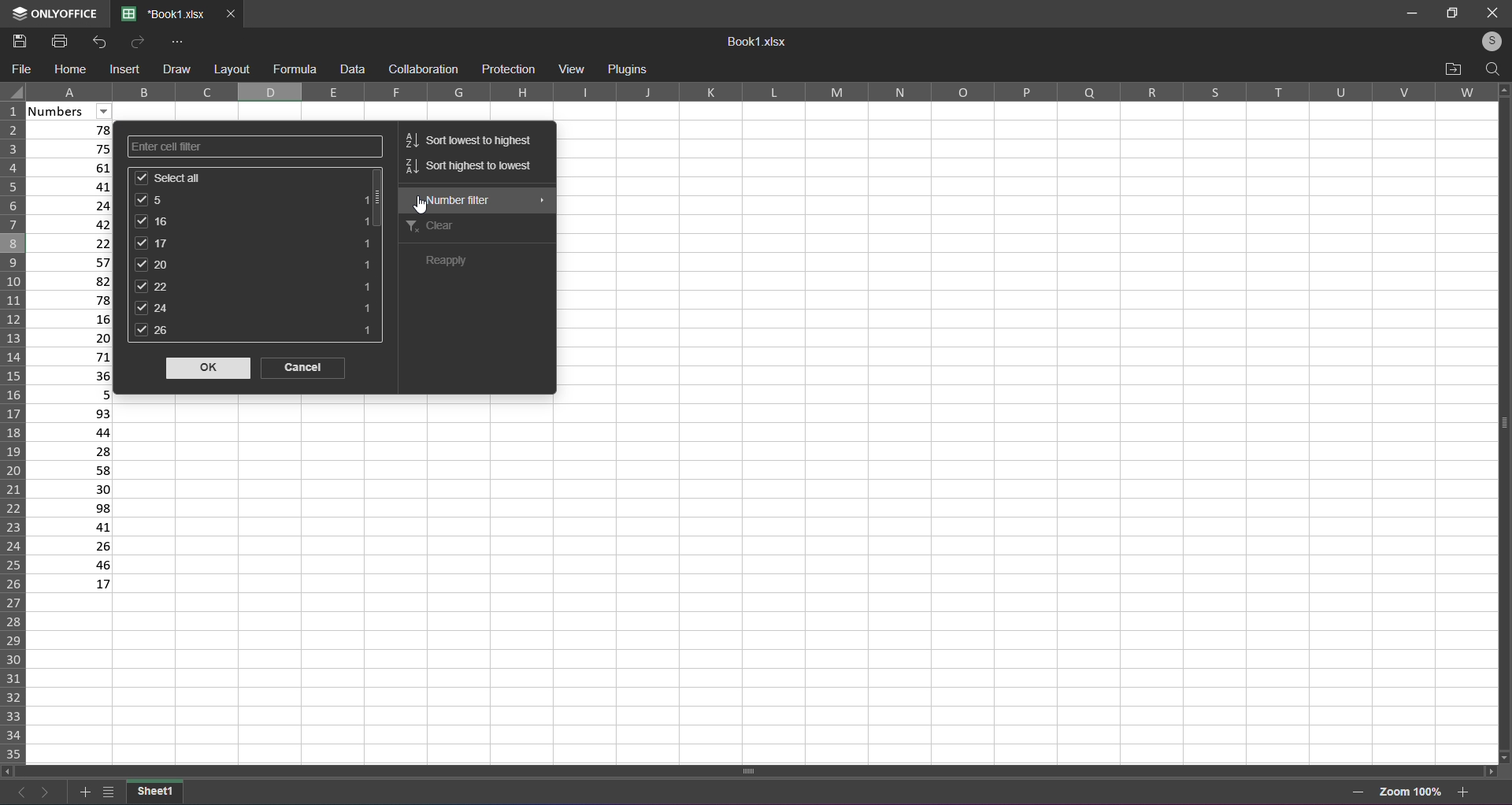 The height and width of the screenshot is (805, 1512). I want to click on 22, so click(74, 242).